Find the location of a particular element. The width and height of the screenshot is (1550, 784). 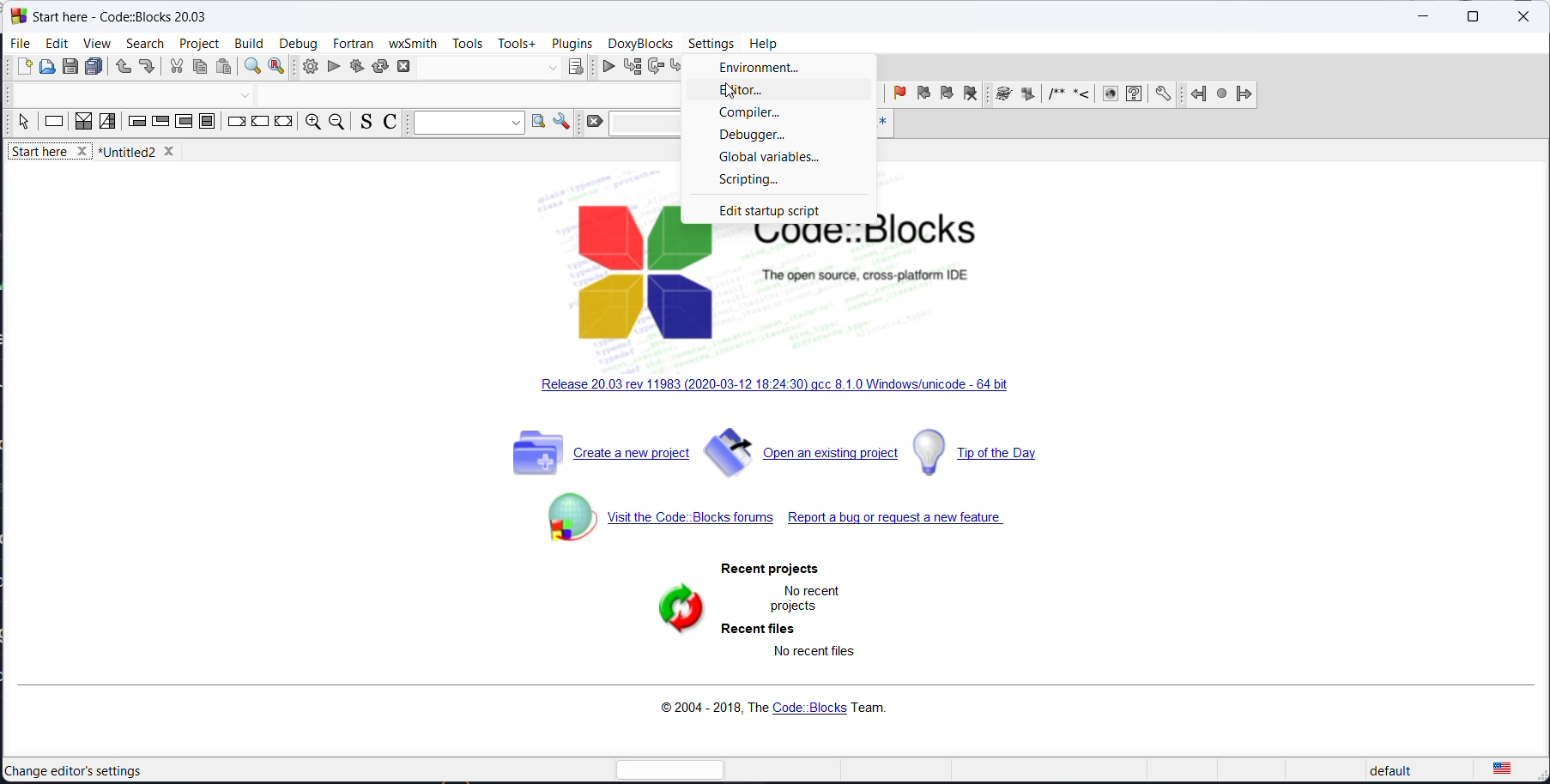

DoxyBlocks is located at coordinates (639, 43).